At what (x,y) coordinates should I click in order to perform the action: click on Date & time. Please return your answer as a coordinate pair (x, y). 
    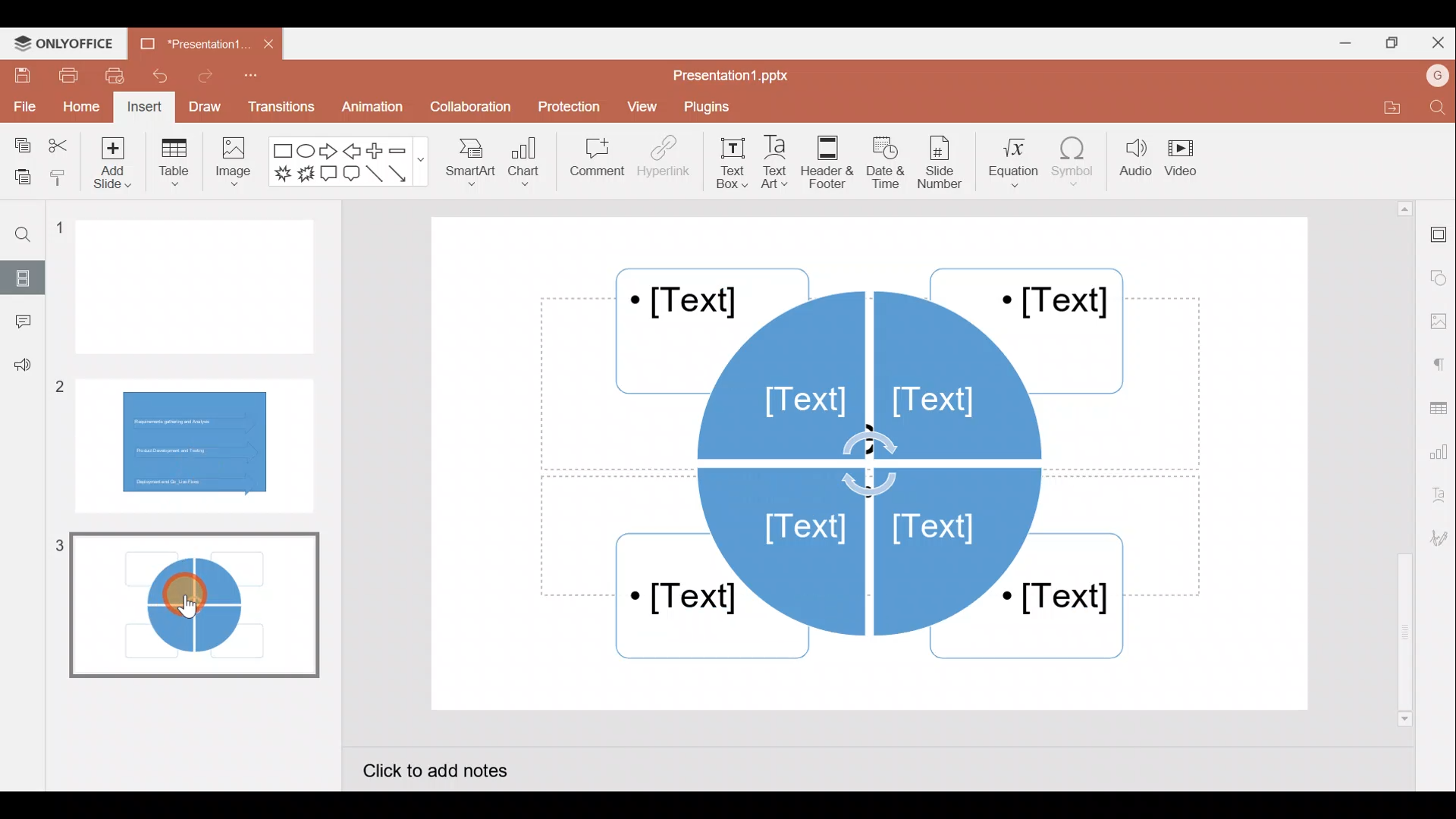
    Looking at the image, I should click on (889, 162).